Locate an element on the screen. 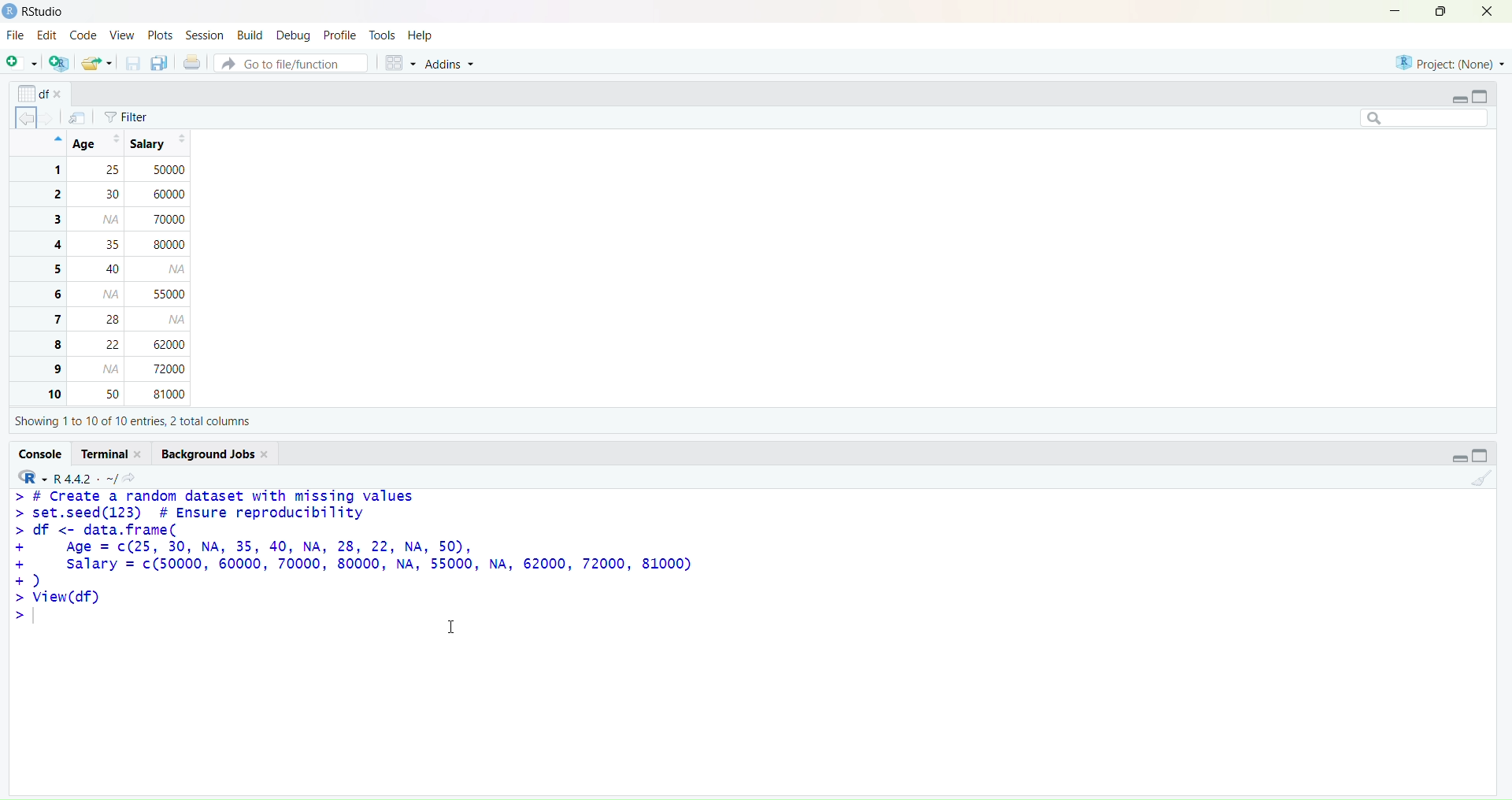 This screenshot has height=800, width=1512. filter is located at coordinates (130, 117).